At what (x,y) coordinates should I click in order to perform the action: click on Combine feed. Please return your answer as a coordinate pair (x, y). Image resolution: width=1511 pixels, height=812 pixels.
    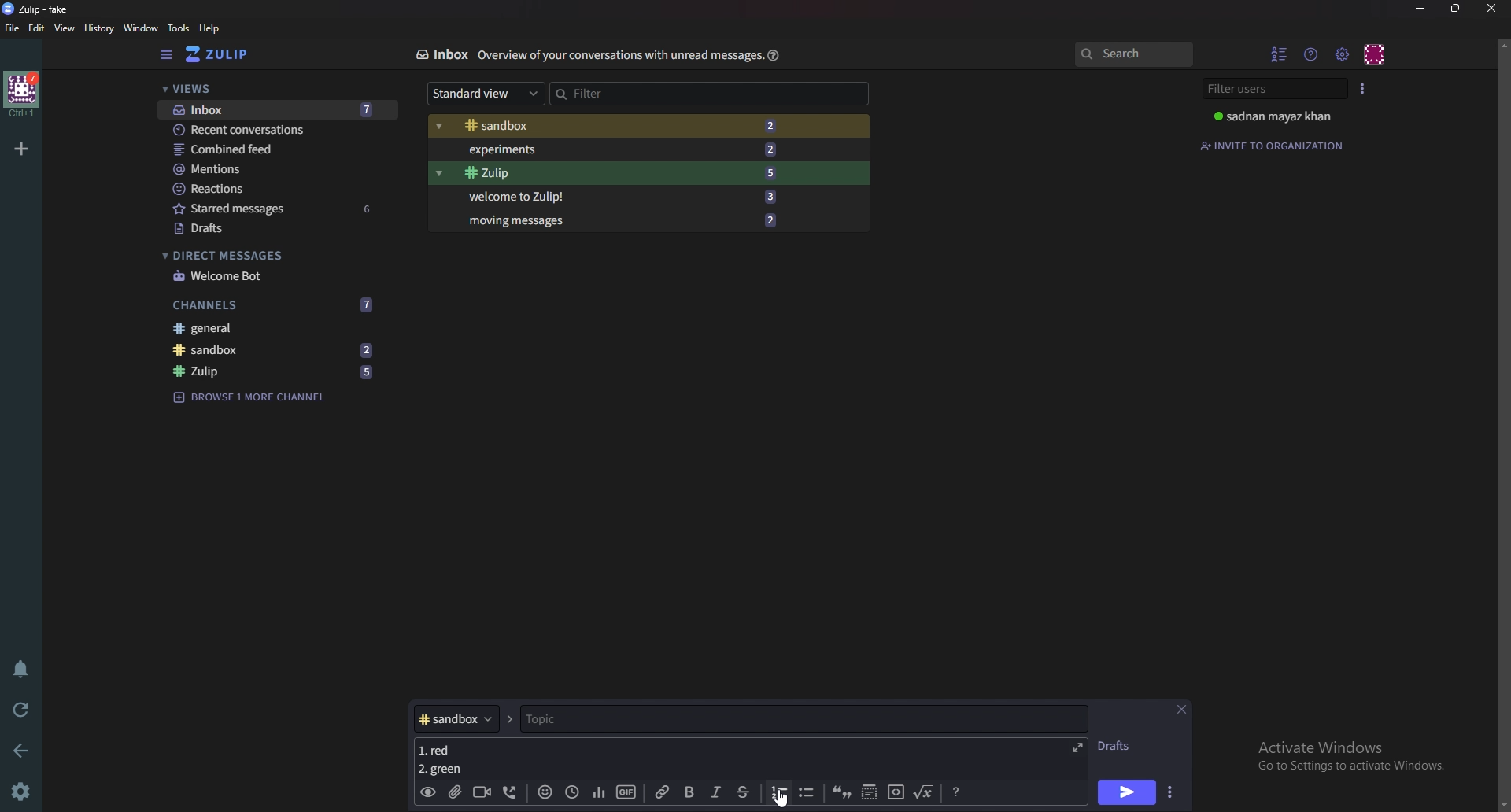
    Looking at the image, I should click on (279, 149).